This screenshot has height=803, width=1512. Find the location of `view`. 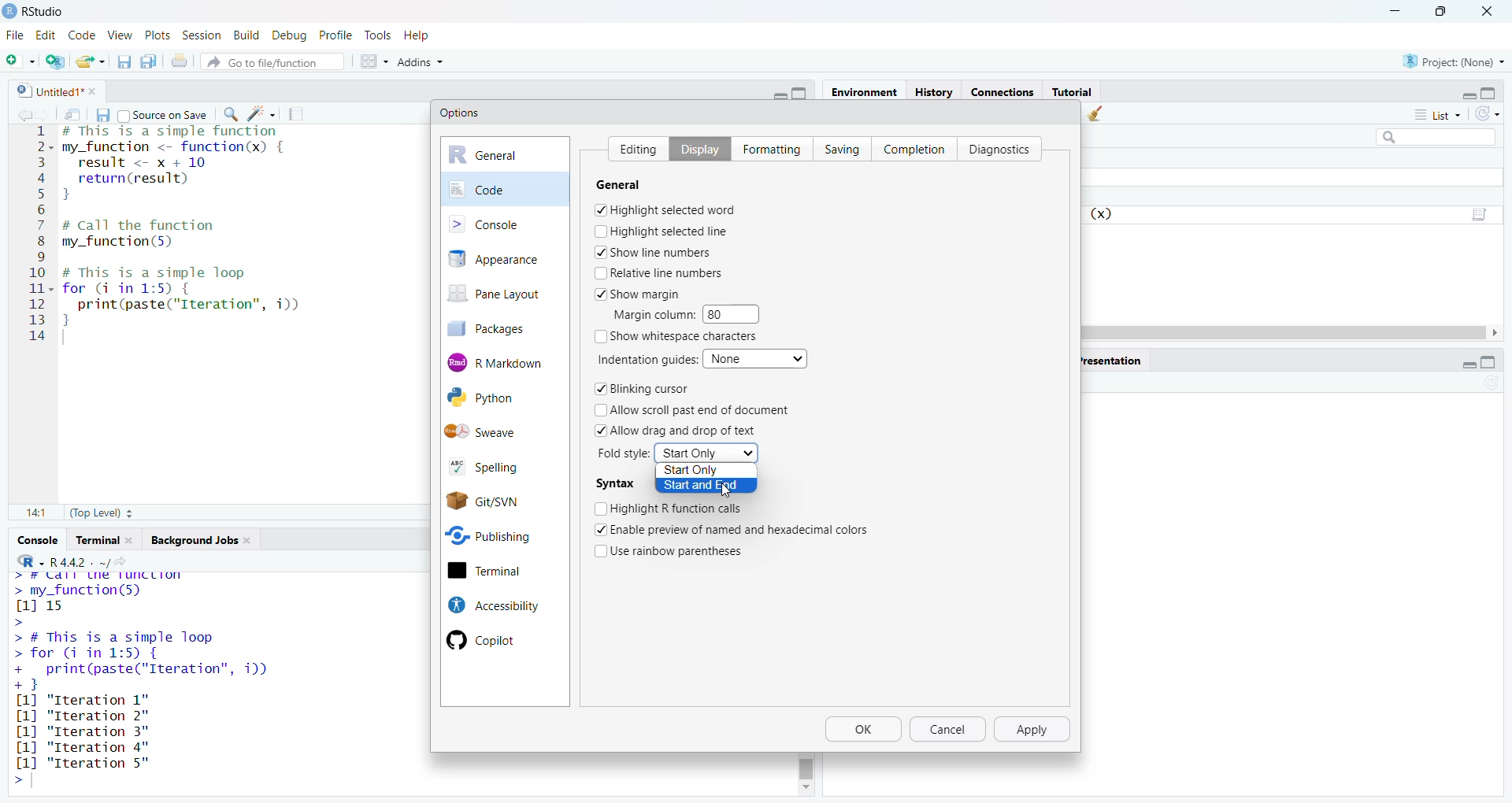

view is located at coordinates (120, 35).